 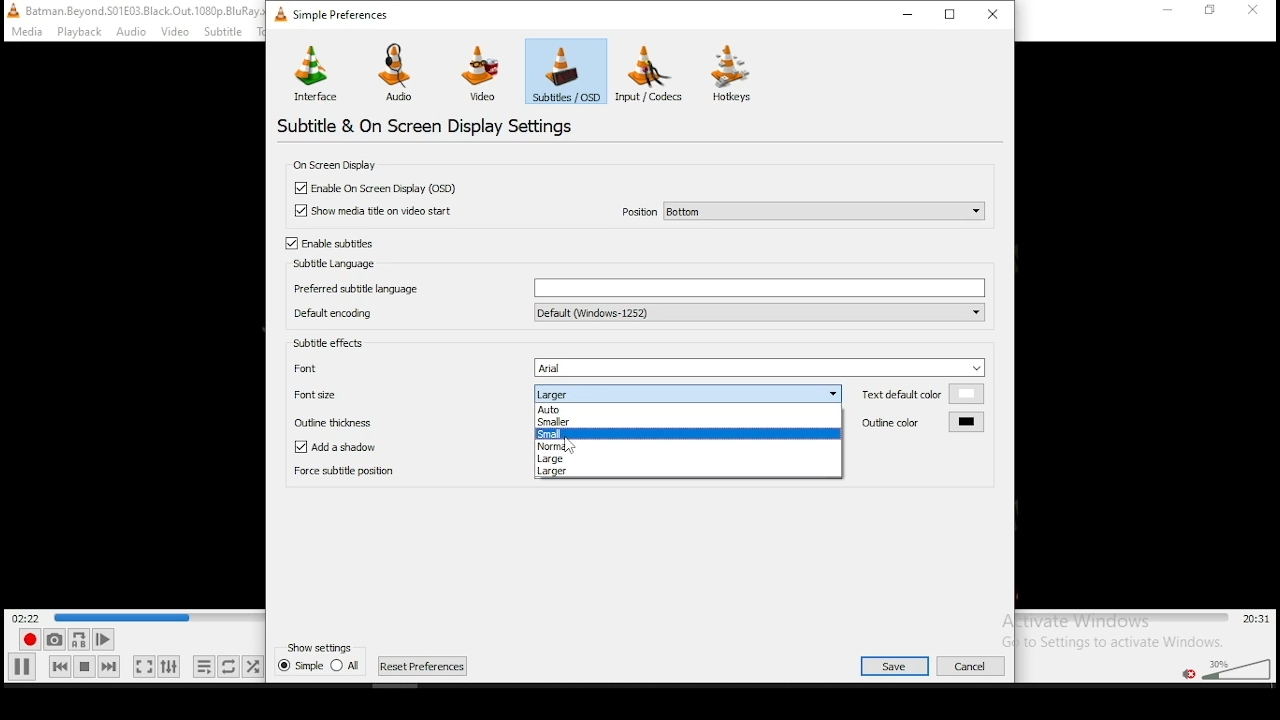 What do you see at coordinates (690, 433) in the screenshot?
I see `small` at bounding box center [690, 433].